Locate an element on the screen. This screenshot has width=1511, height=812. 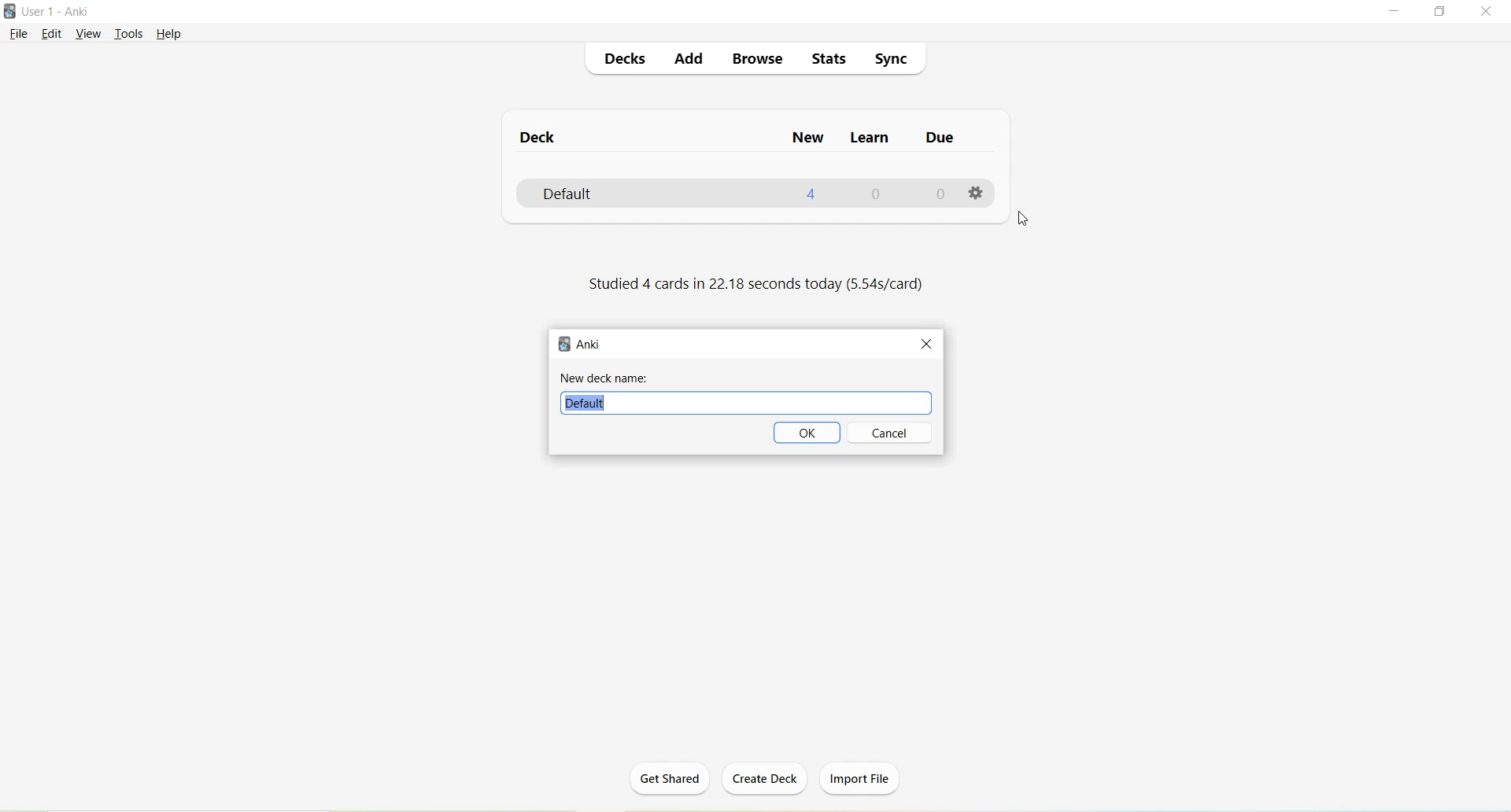
0 is located at coordinates (877, 194).